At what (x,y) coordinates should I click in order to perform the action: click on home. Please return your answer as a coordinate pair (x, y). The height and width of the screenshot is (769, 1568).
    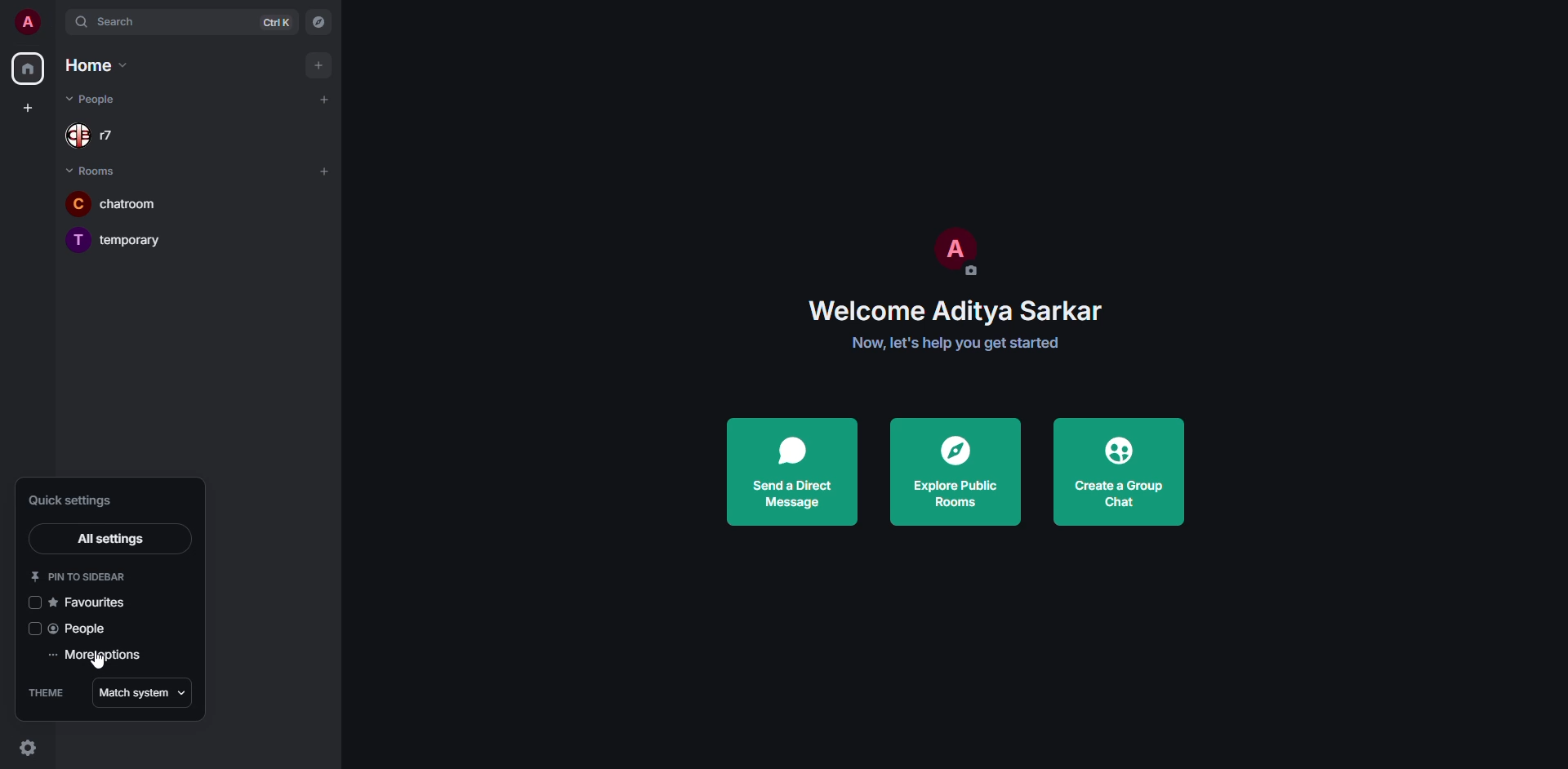
    Looking at the image, I should click on (100, 64).